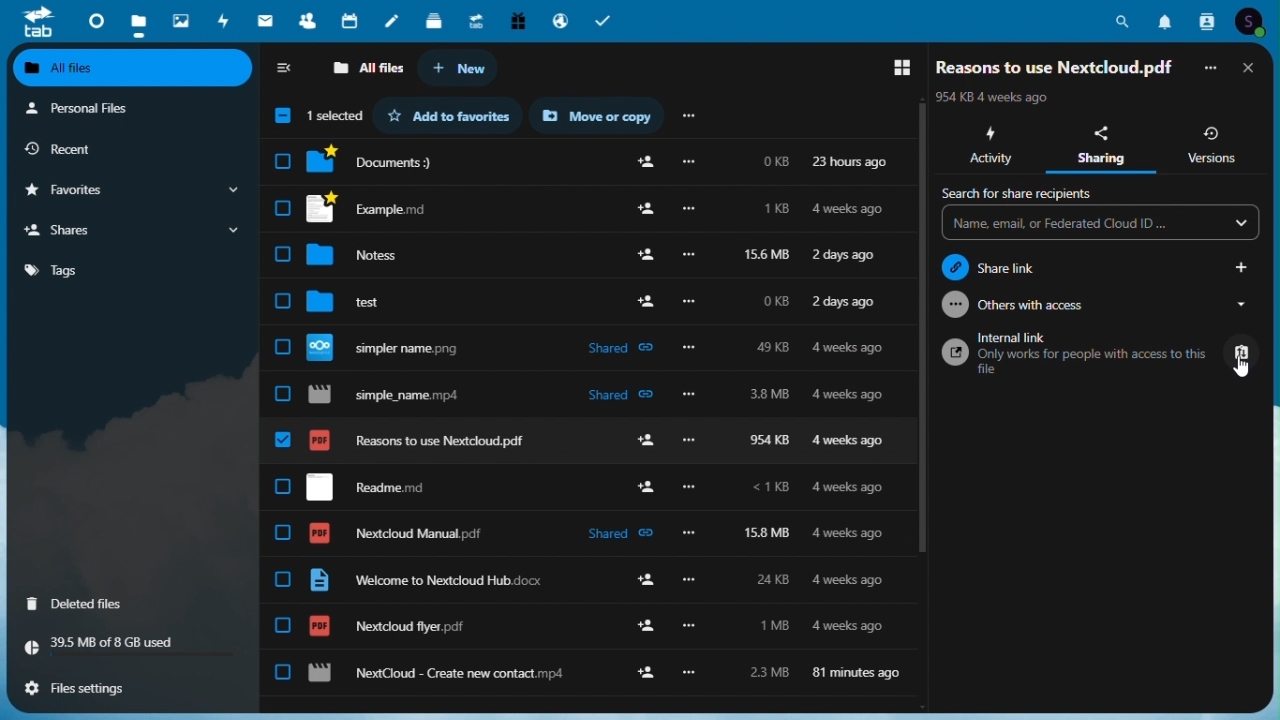 This screenshot has height=720, width=1280. I want to click on 0kb, so click(773, 163).